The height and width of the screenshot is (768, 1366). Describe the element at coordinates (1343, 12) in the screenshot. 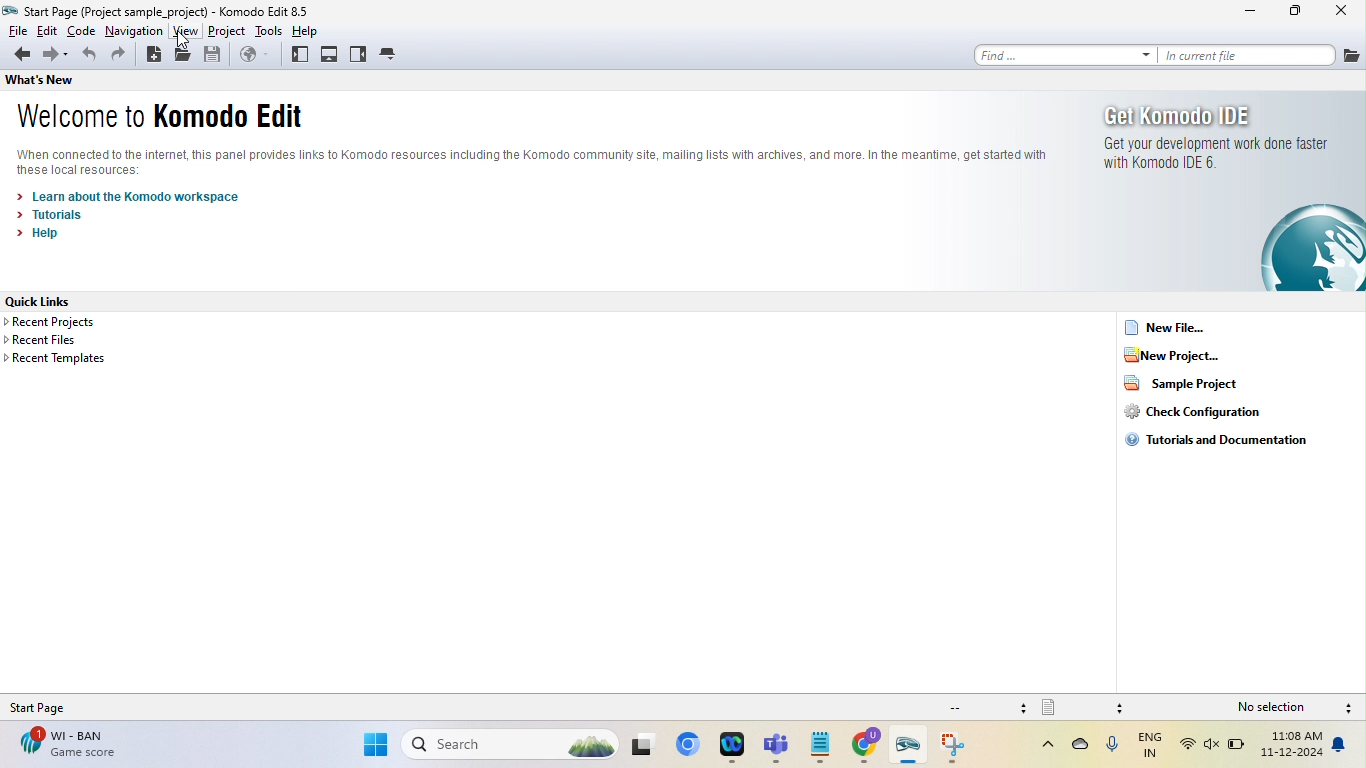

I see `close` at that location.